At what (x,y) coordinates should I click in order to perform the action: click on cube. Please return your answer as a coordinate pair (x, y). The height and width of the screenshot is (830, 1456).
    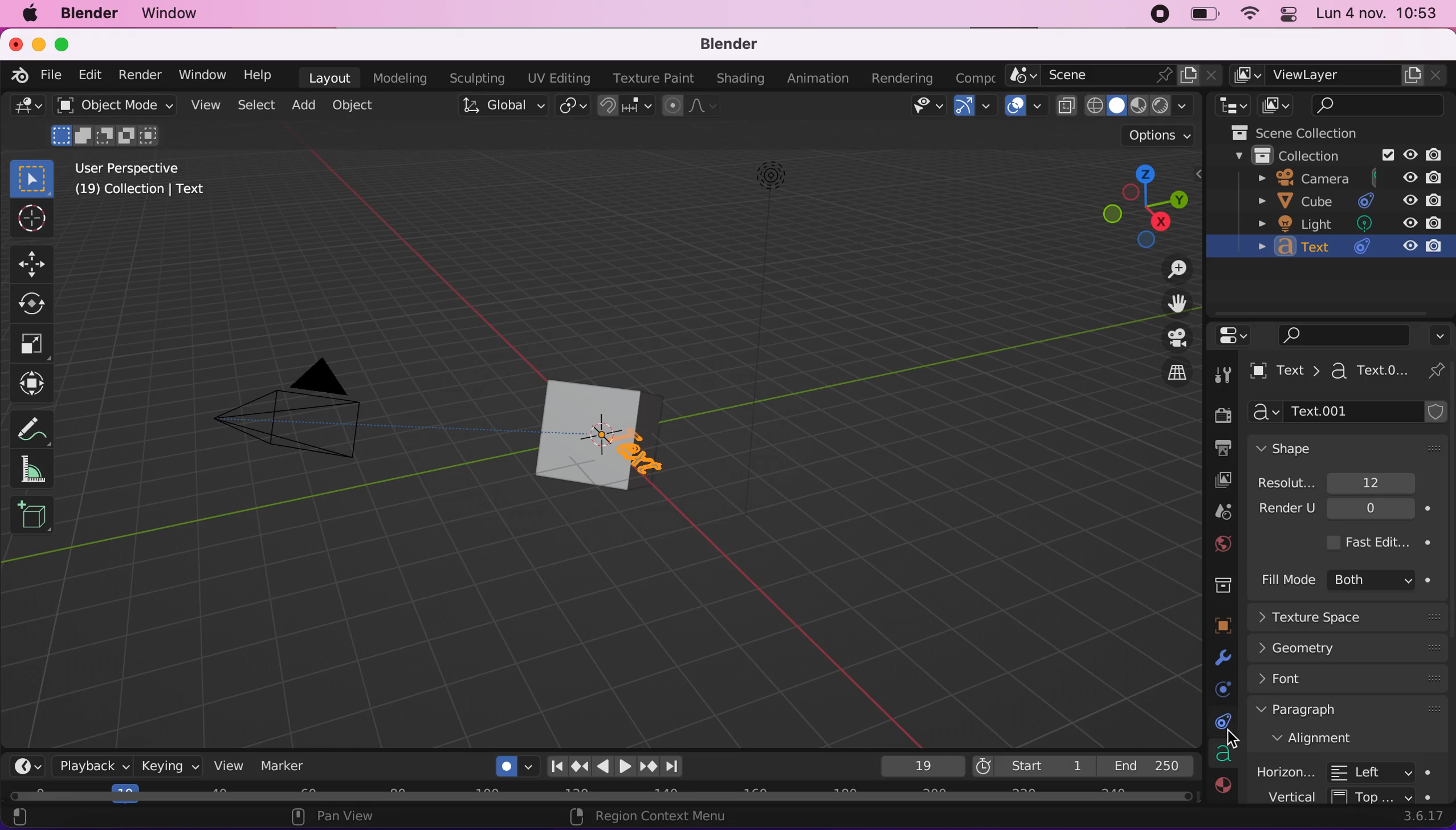
    Looking at the image, I should click on (1342, 201).